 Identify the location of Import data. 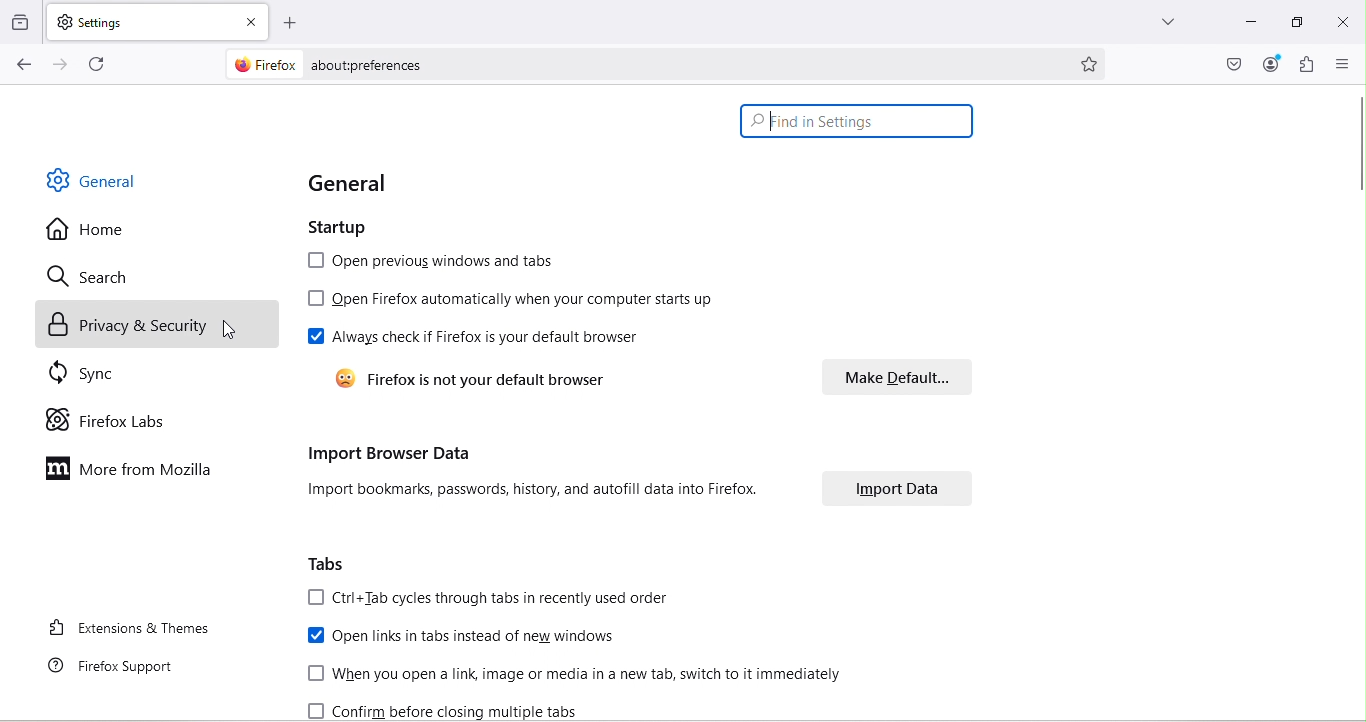
(889, 489).